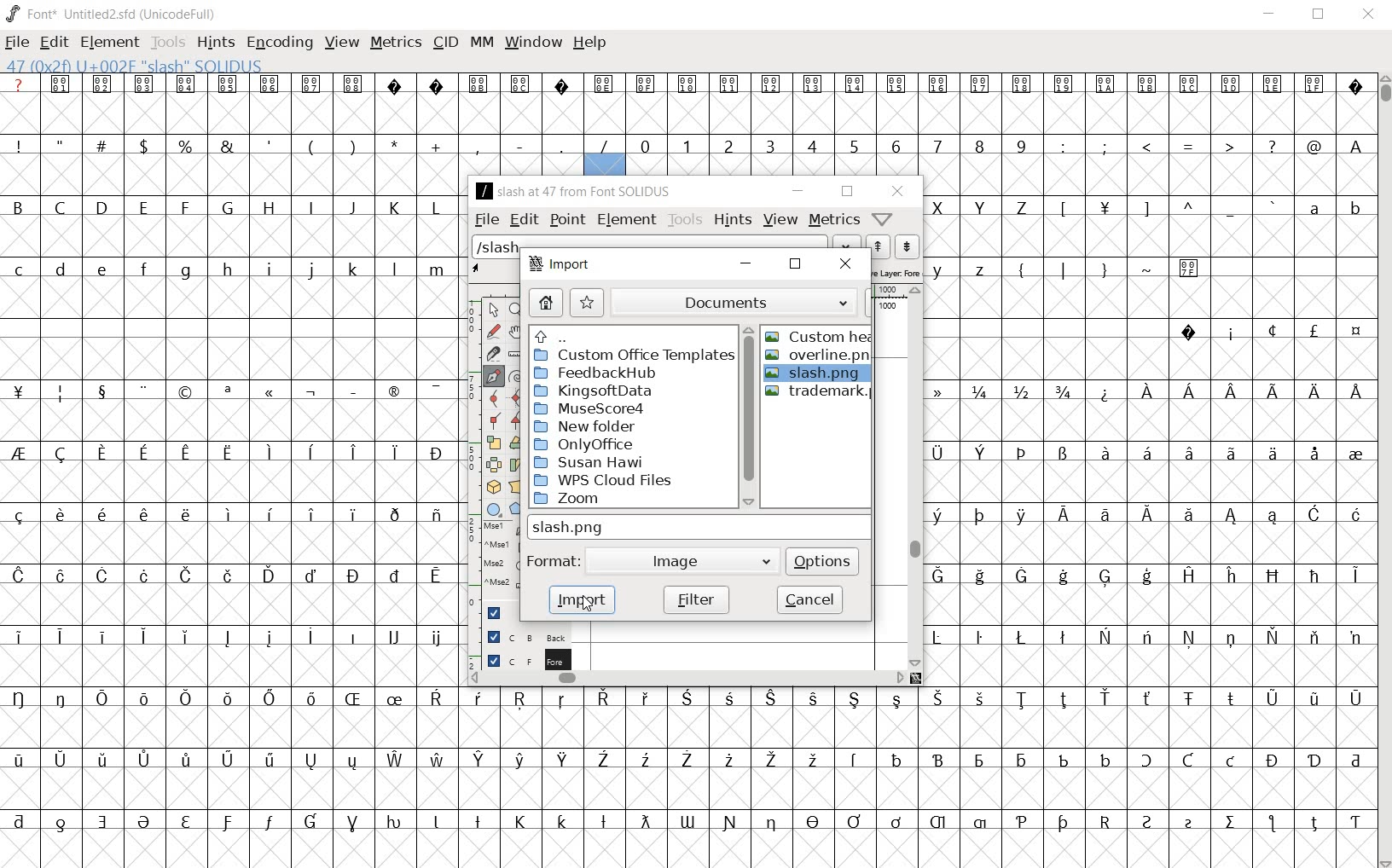 The image size is (1392, 868). What do you see at coordinates (684, 726) in the screenshot?
I see `empty cells` at bounding box center [684, 726].